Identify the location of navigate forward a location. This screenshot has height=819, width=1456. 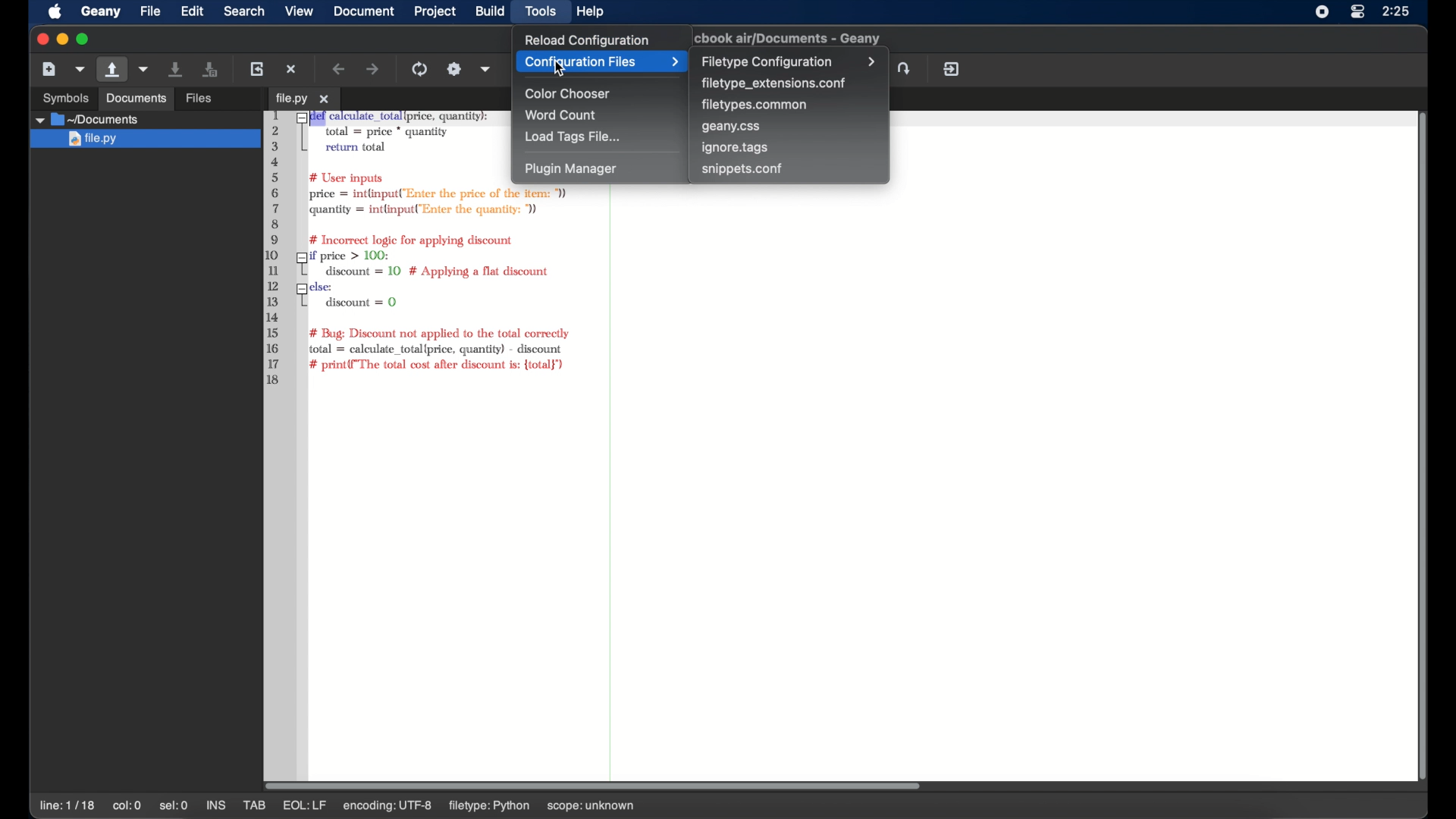
(374, 70).